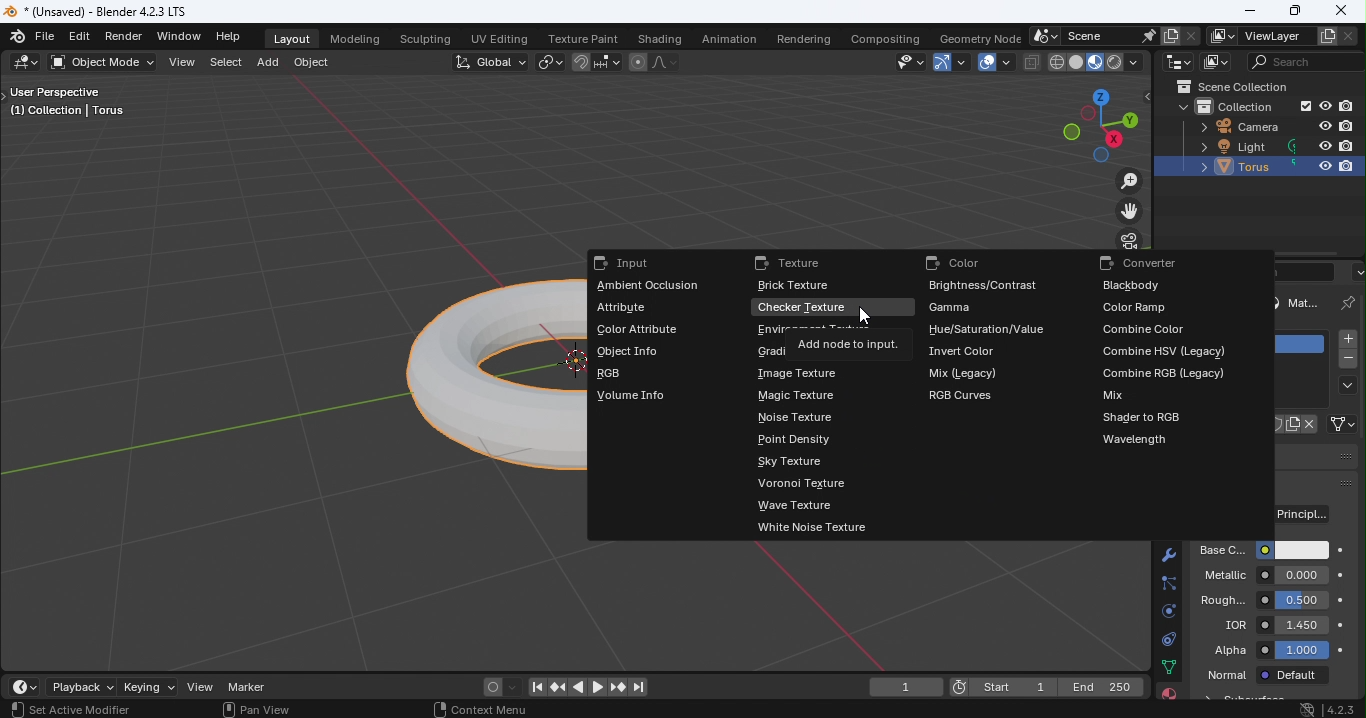  What do you see at coordinates (785, 265) in the screenshot?
I see `Texture` at bounding box center [785, 265].